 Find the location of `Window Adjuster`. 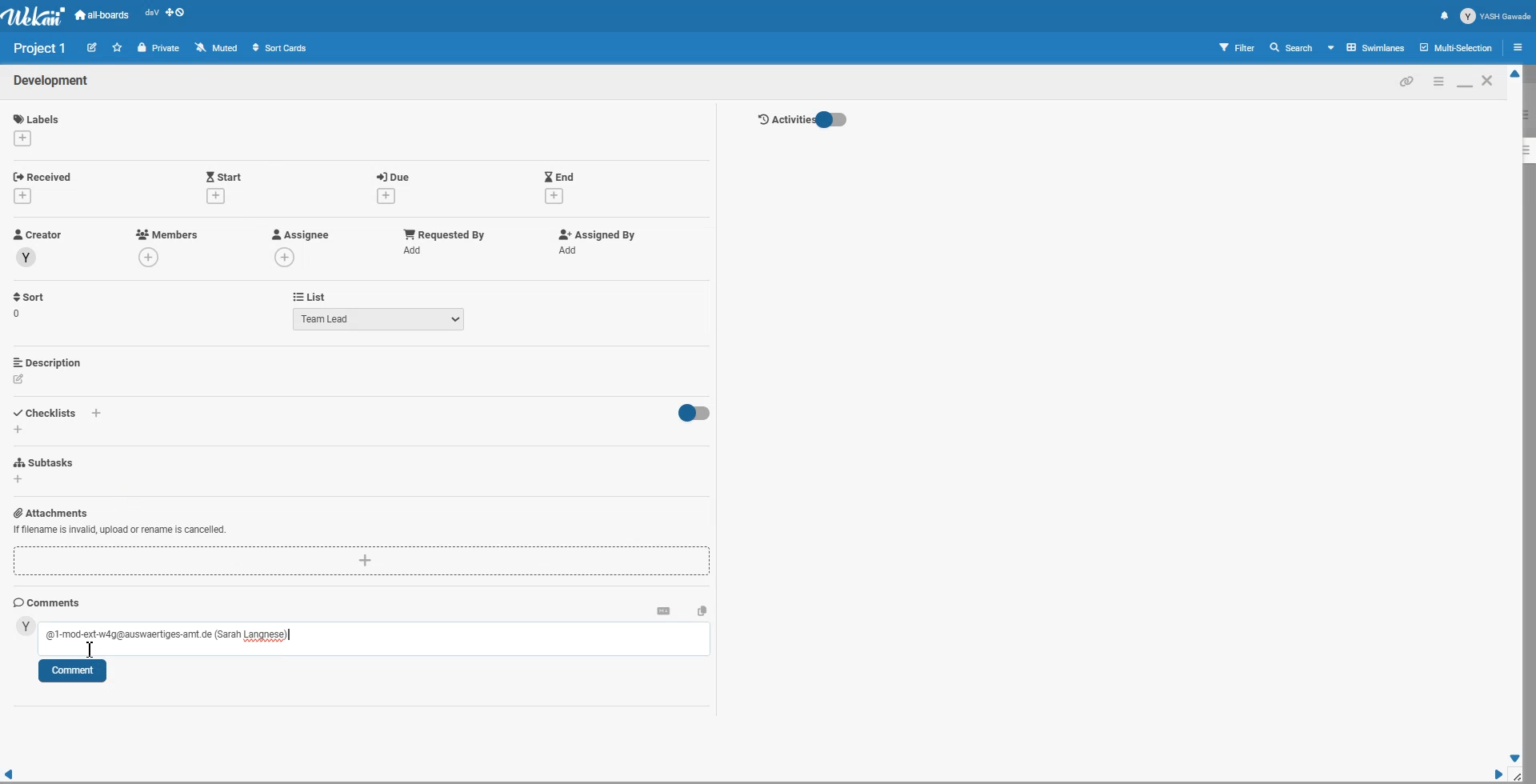

Window Adjuster is located at coordinates (1521, 776).